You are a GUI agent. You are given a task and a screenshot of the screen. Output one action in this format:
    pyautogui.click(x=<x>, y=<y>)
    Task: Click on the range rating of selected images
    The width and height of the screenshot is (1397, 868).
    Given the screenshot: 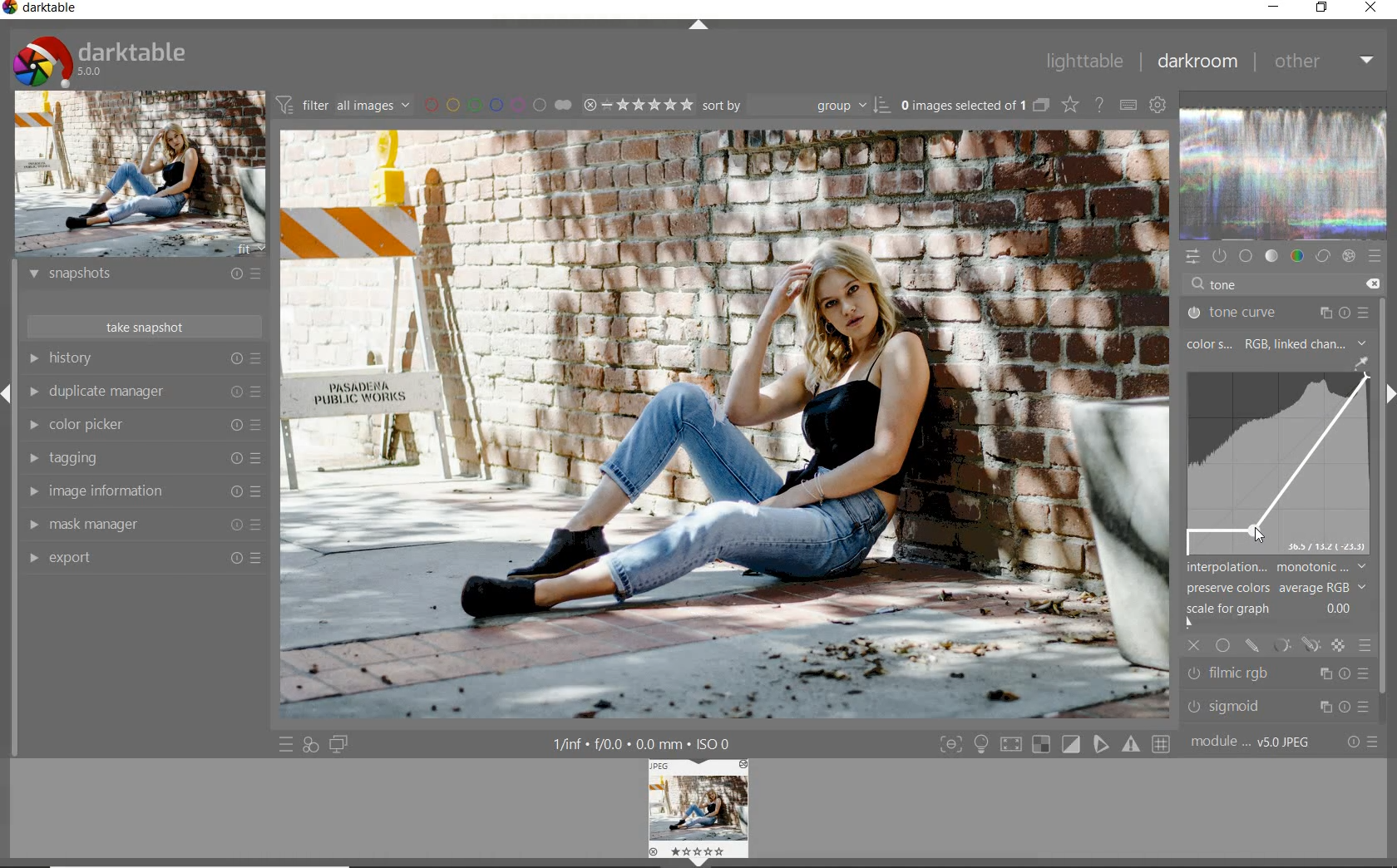 What is the action you would take?
    pyautogui.click(x=637, y=106)
    